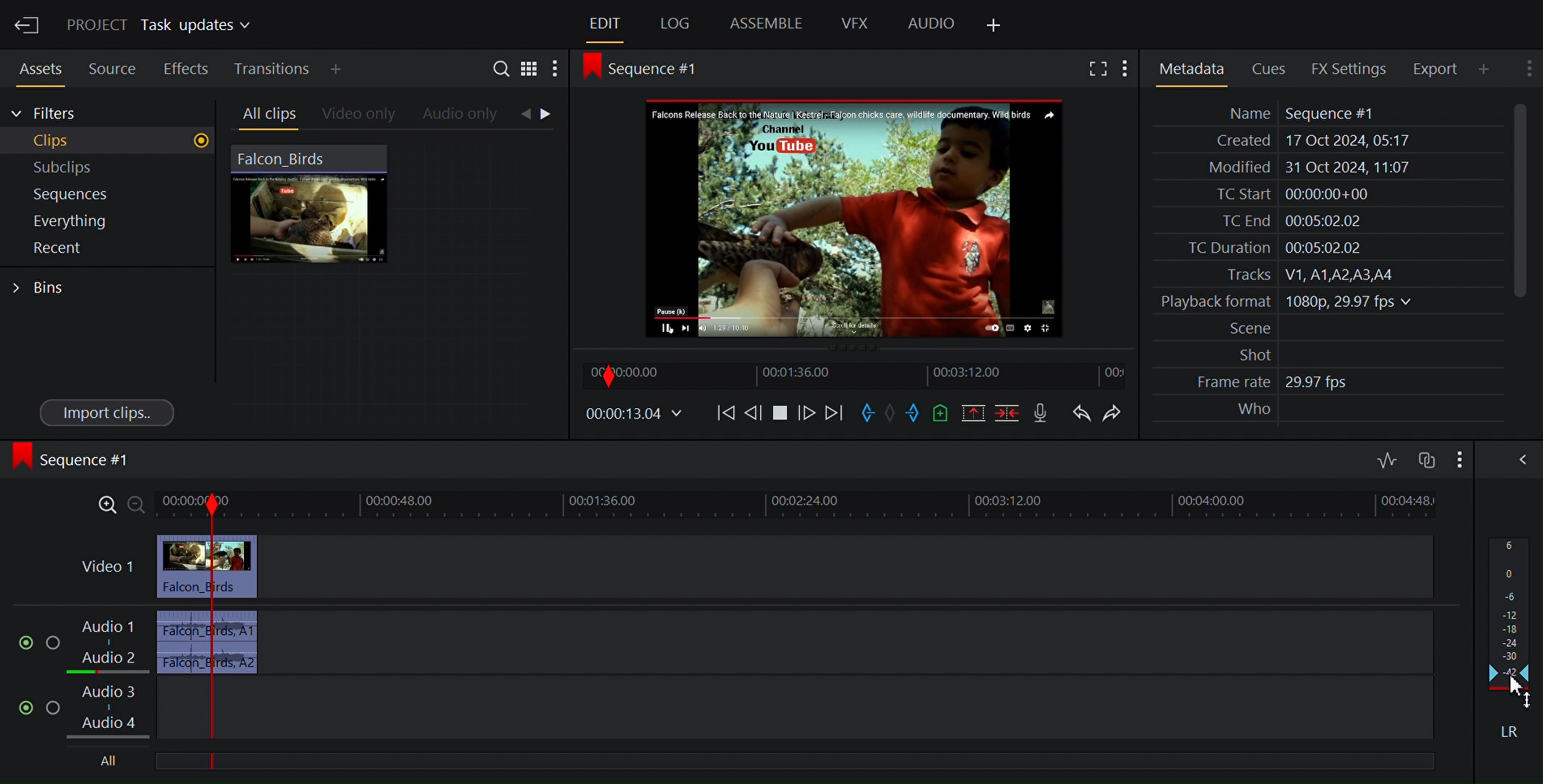 The height and width of the screenshot is (784, 1543). I want to click on Mute/Unmute, so click(20, 639).